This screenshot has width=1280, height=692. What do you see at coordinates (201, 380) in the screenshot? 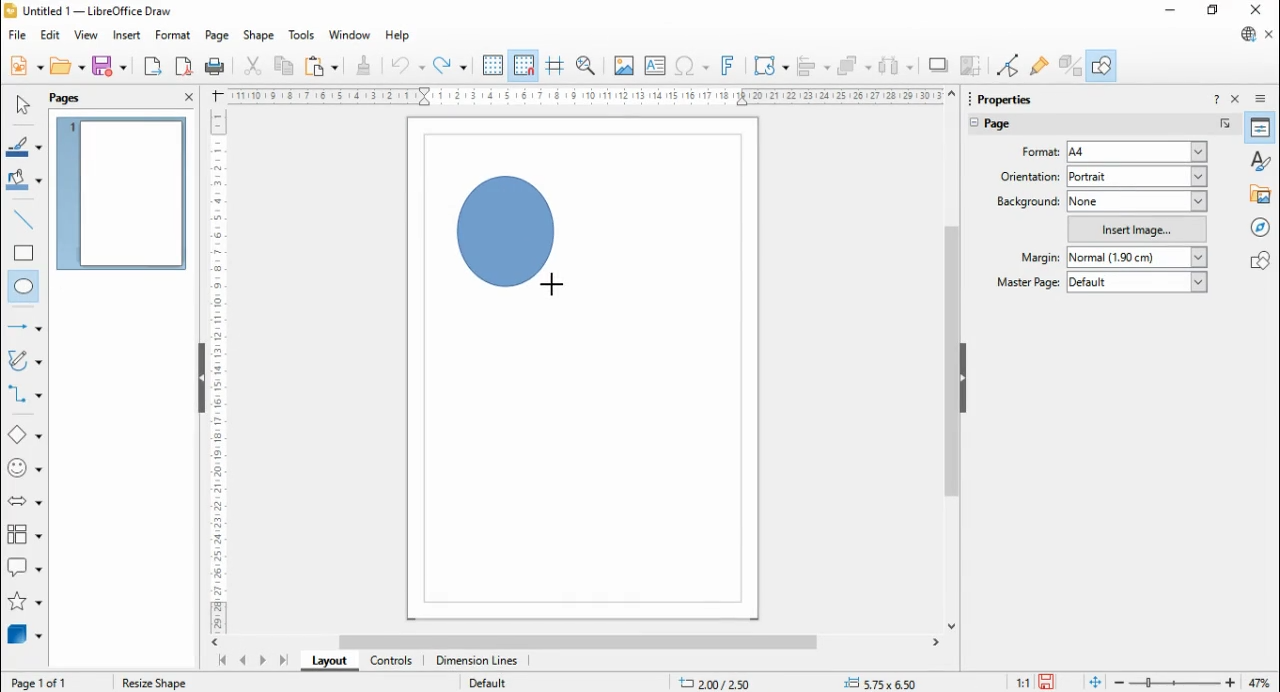
I see `Hide` at bounding box center [201, 380].